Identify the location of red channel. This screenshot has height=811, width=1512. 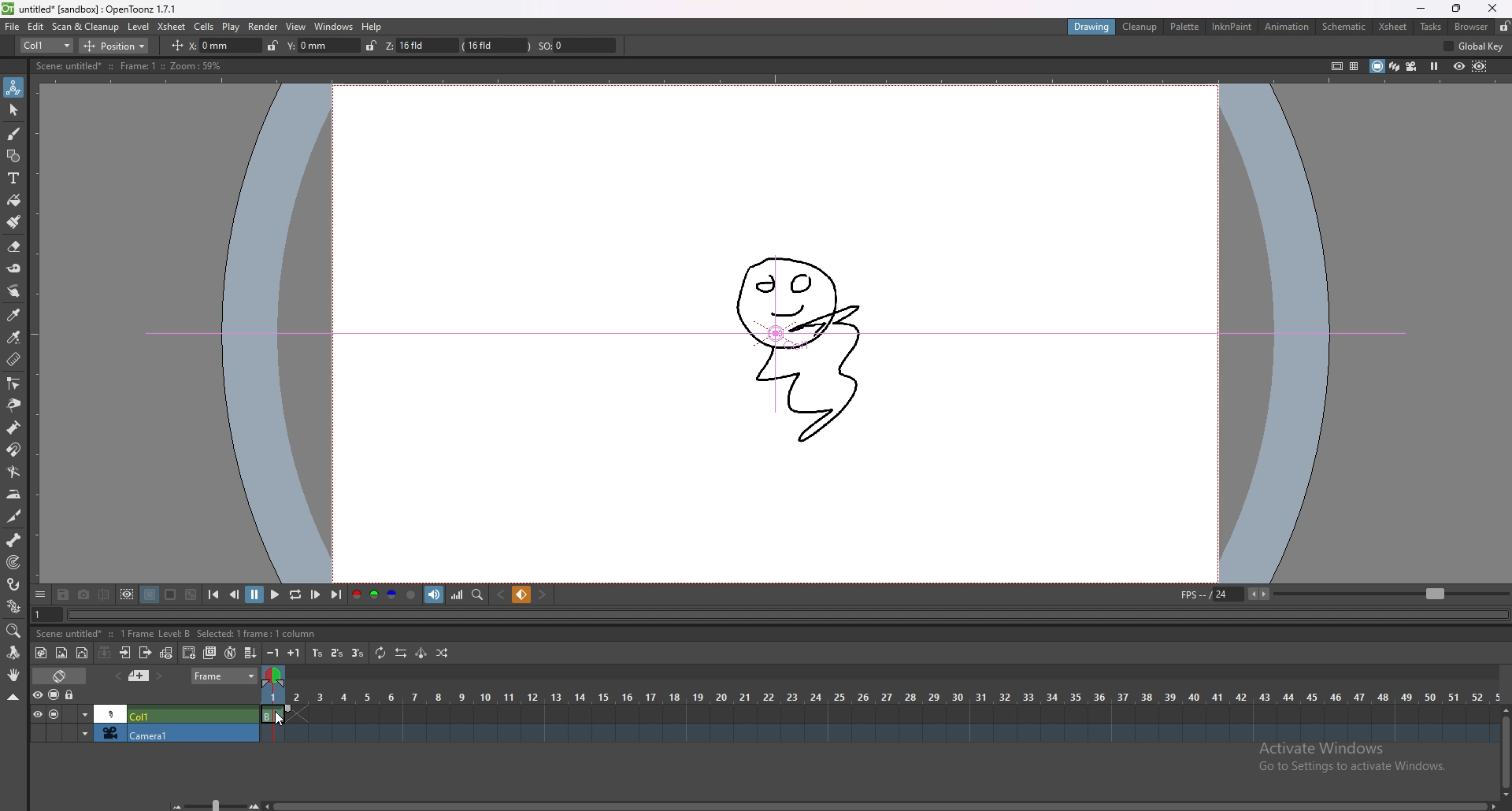
(357, 594).